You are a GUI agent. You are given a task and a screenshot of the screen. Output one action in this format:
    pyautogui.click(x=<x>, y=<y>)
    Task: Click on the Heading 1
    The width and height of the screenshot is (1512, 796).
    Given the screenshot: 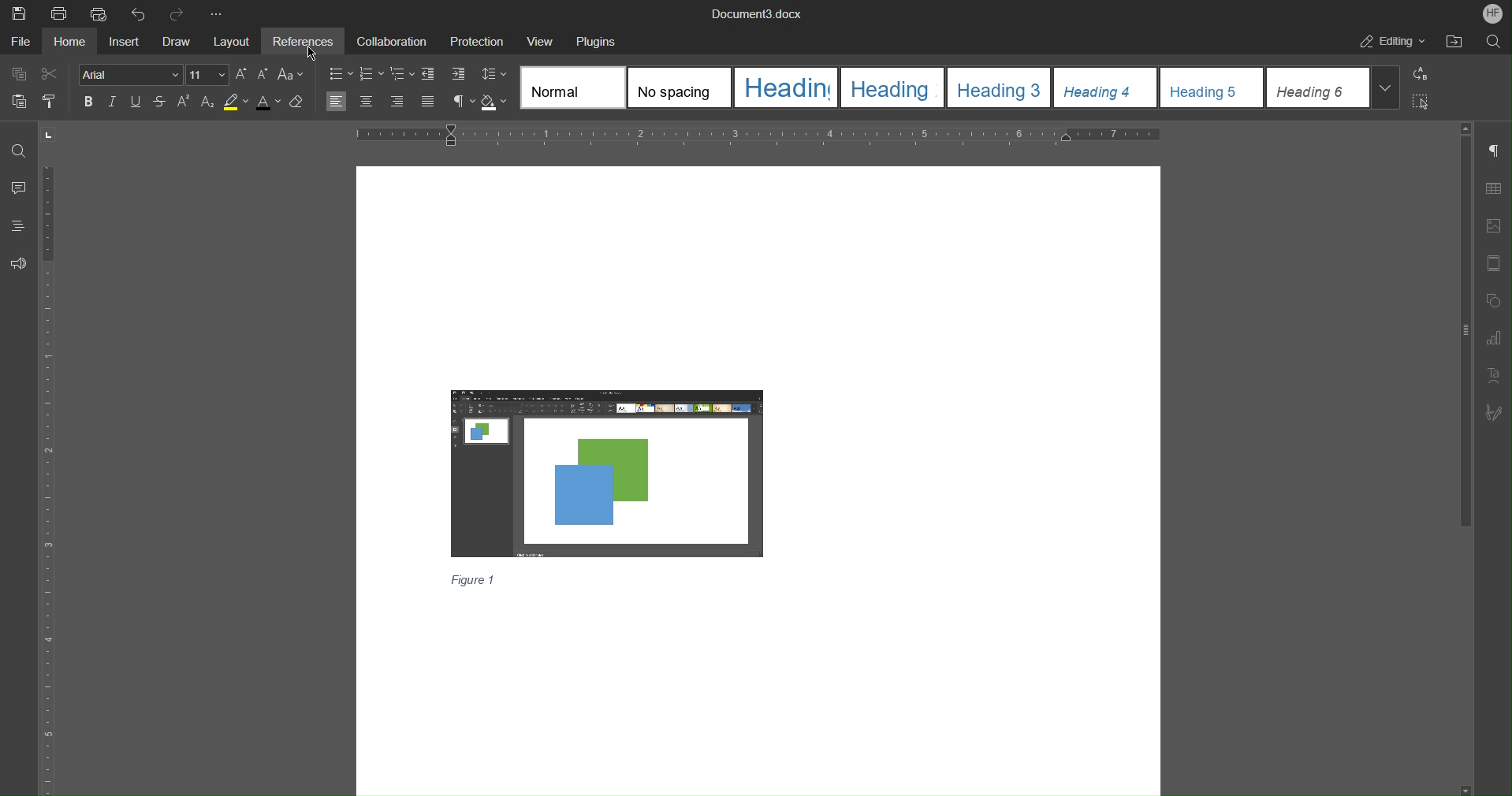 What is the action you would take?
    pyautogui.click(x=788, y=87)
    